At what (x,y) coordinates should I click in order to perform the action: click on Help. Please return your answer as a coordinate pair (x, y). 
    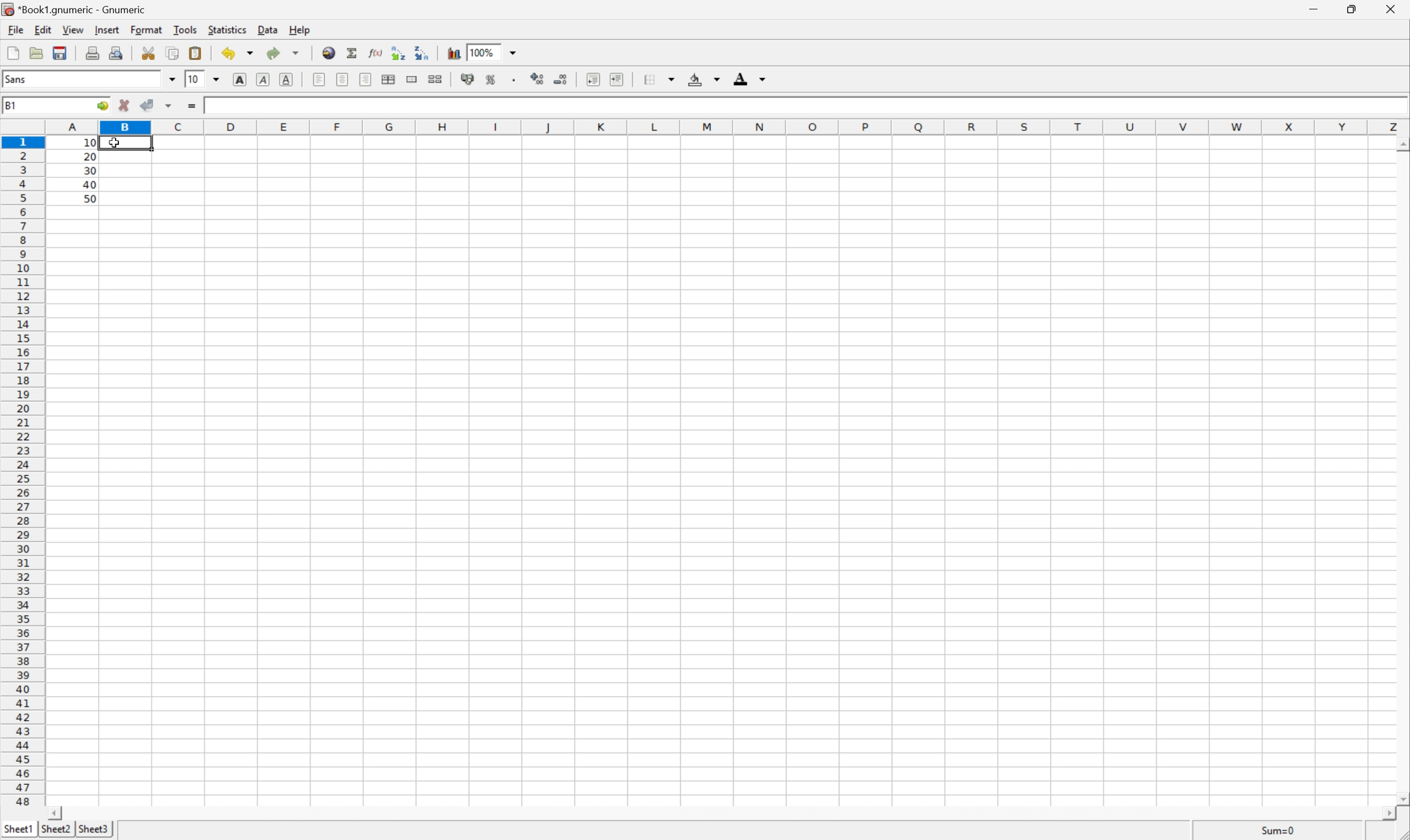
    Looking at the image, I should click on (298, 29).